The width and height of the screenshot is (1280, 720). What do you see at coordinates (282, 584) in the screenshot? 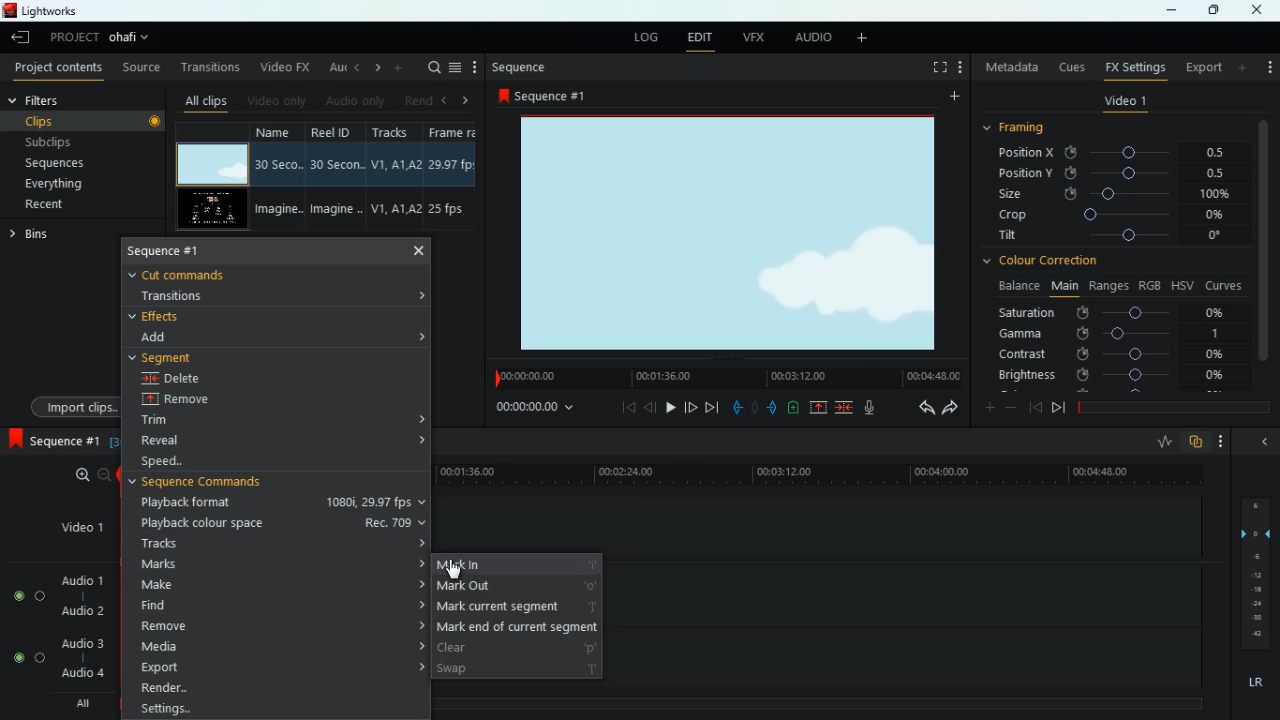
I see `make` at bounding box center [282, 584].